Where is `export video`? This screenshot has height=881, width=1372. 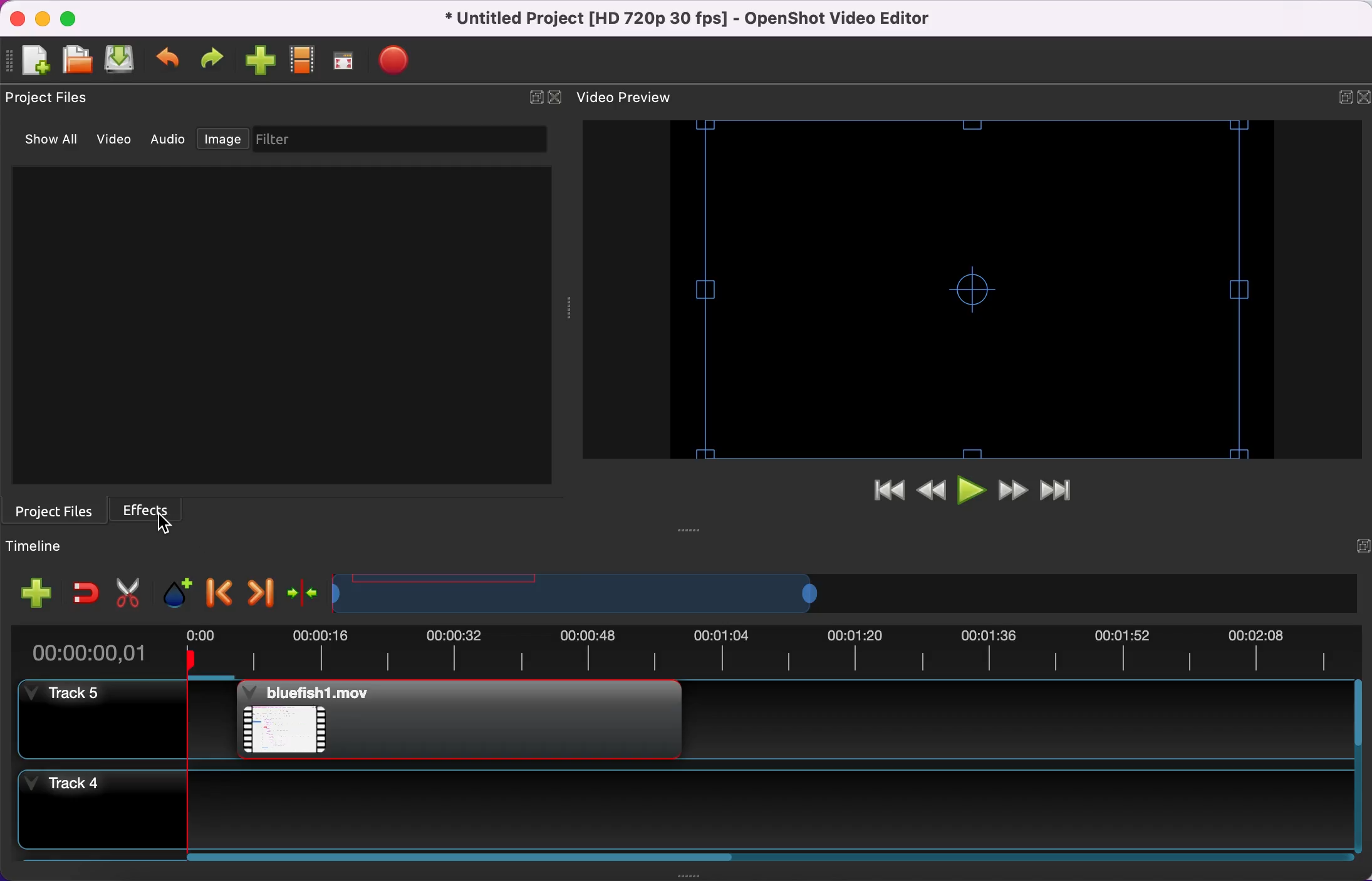 export video is located at coordinates (397, 63).